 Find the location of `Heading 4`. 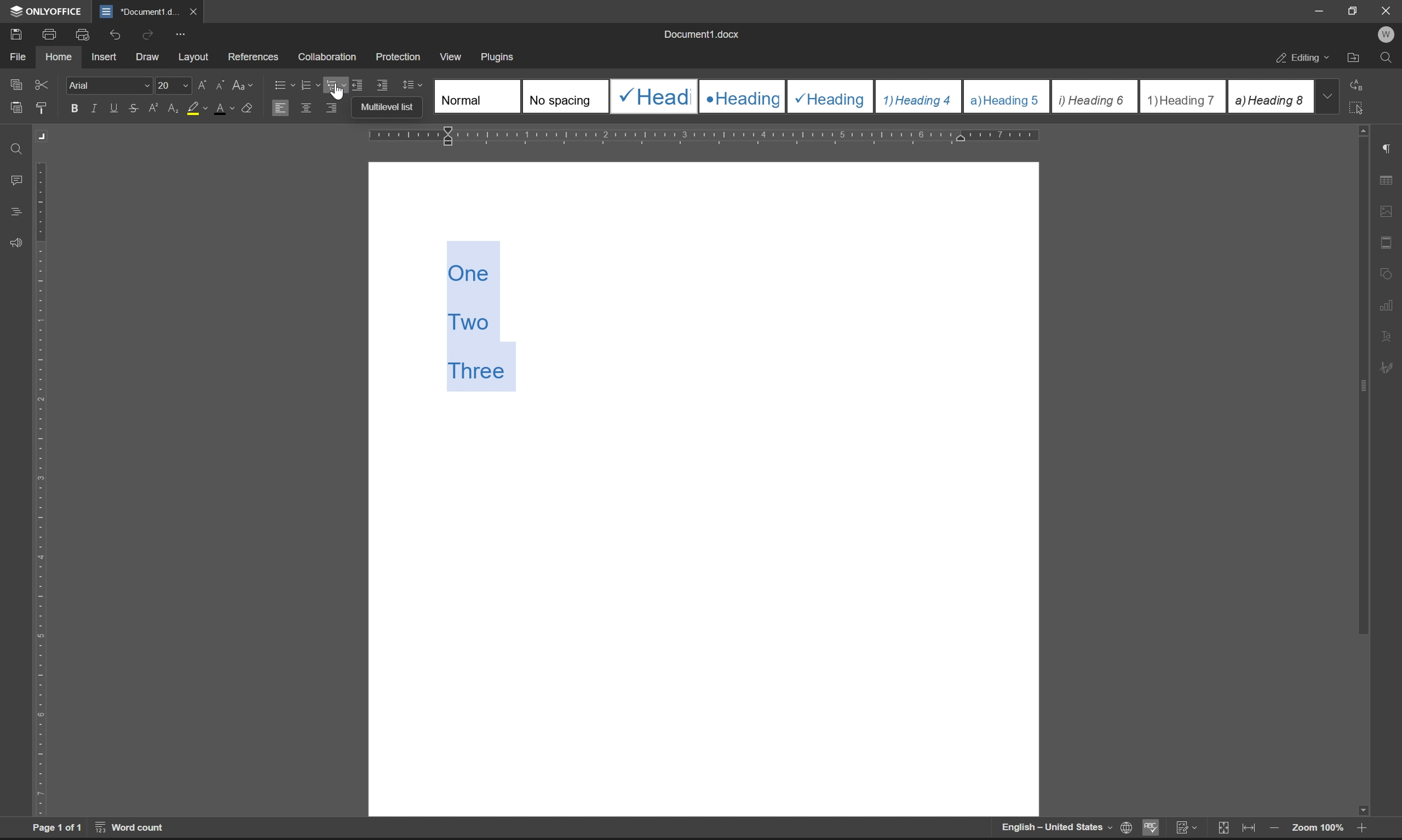

Heading 4 is located at coordinates (919, 97).